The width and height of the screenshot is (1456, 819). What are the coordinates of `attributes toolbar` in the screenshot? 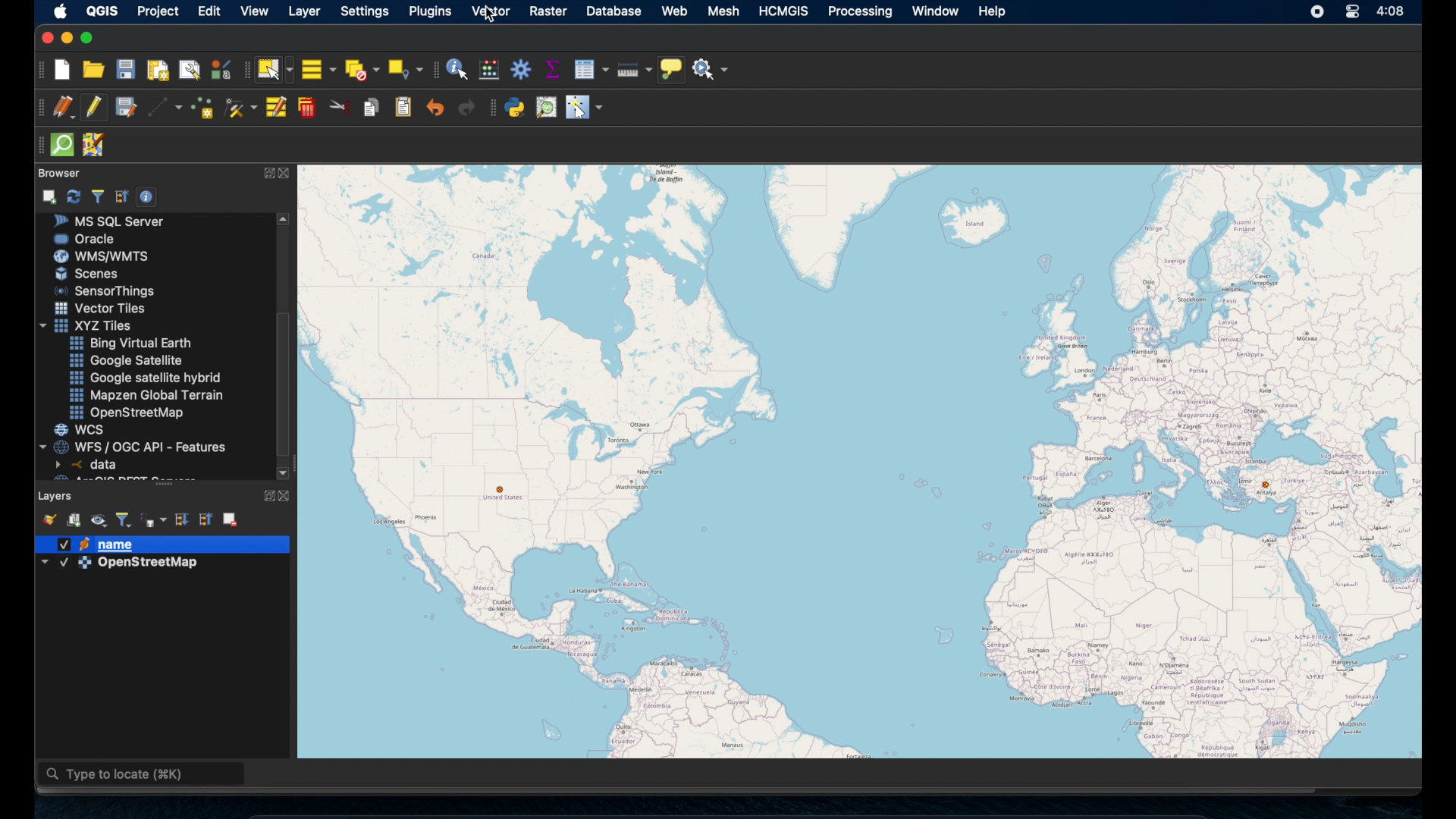 It's located at (435, 68).